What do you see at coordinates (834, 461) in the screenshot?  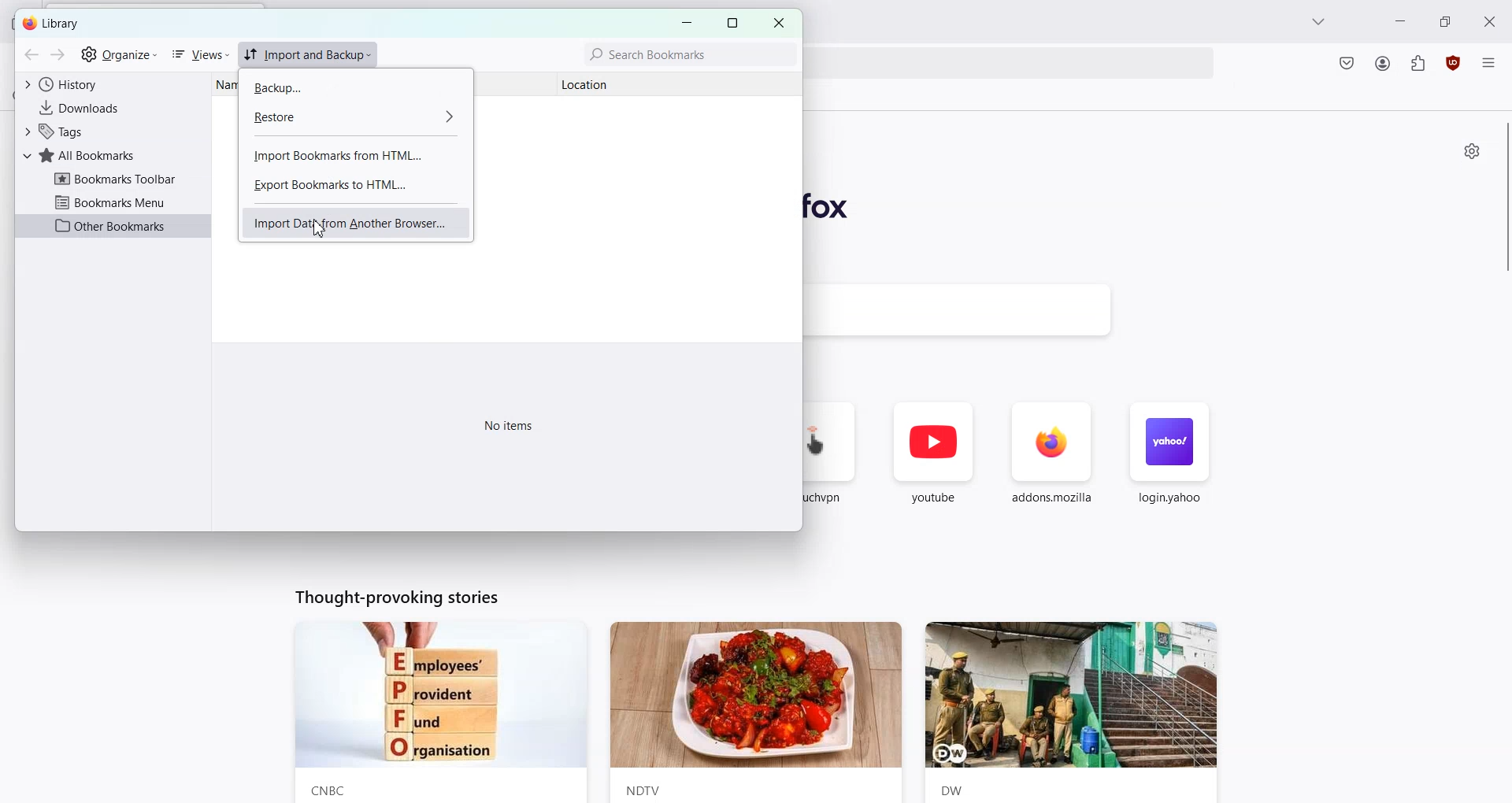 I see `touch.vpn` at bounding box center [834, 461].